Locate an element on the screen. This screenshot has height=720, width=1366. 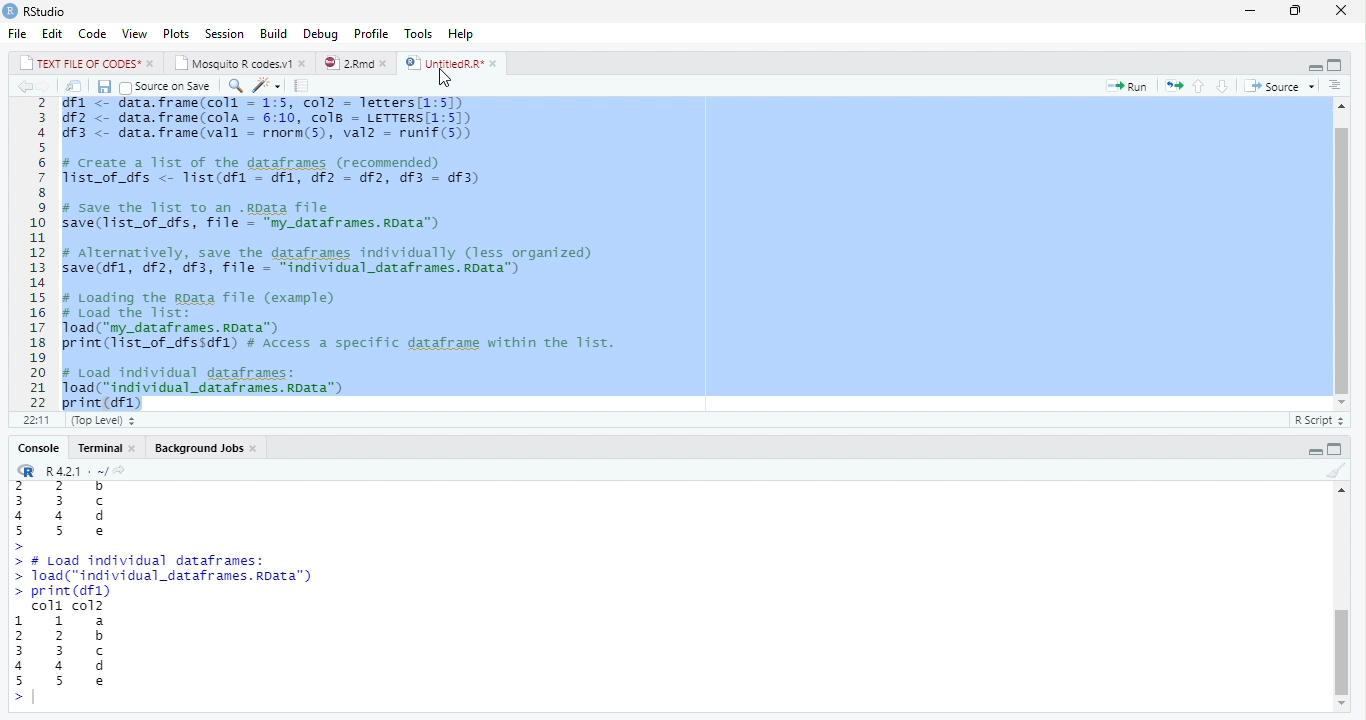
Hide is located at coordinates (1314, 449).